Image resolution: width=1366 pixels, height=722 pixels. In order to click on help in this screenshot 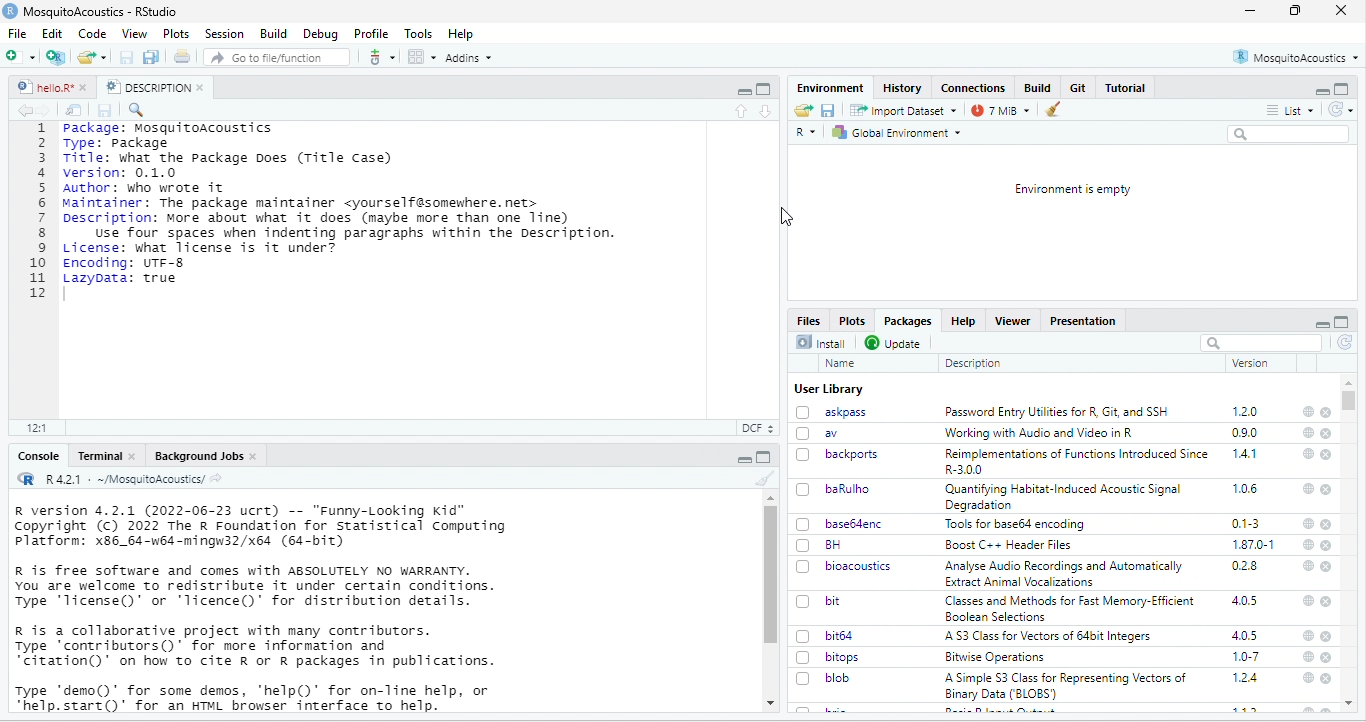, I will do `click(1307, 601)`.